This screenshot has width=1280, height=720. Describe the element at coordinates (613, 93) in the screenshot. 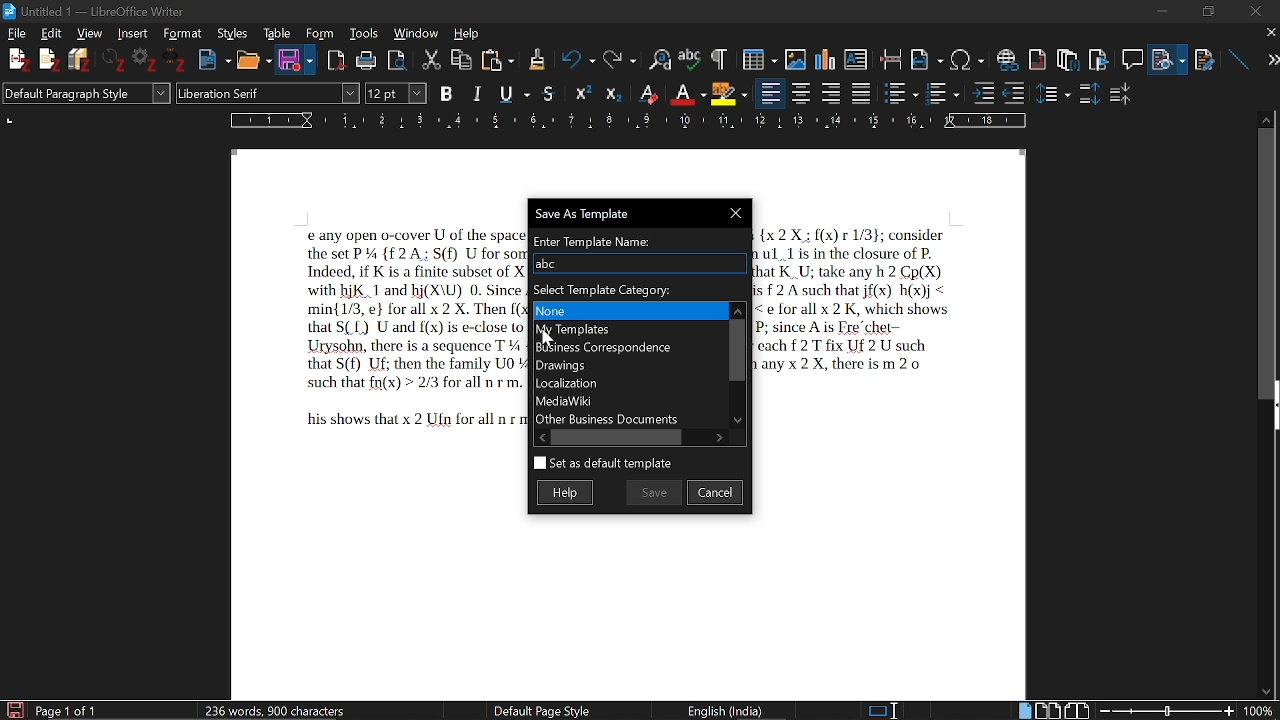

I see `` at that location.